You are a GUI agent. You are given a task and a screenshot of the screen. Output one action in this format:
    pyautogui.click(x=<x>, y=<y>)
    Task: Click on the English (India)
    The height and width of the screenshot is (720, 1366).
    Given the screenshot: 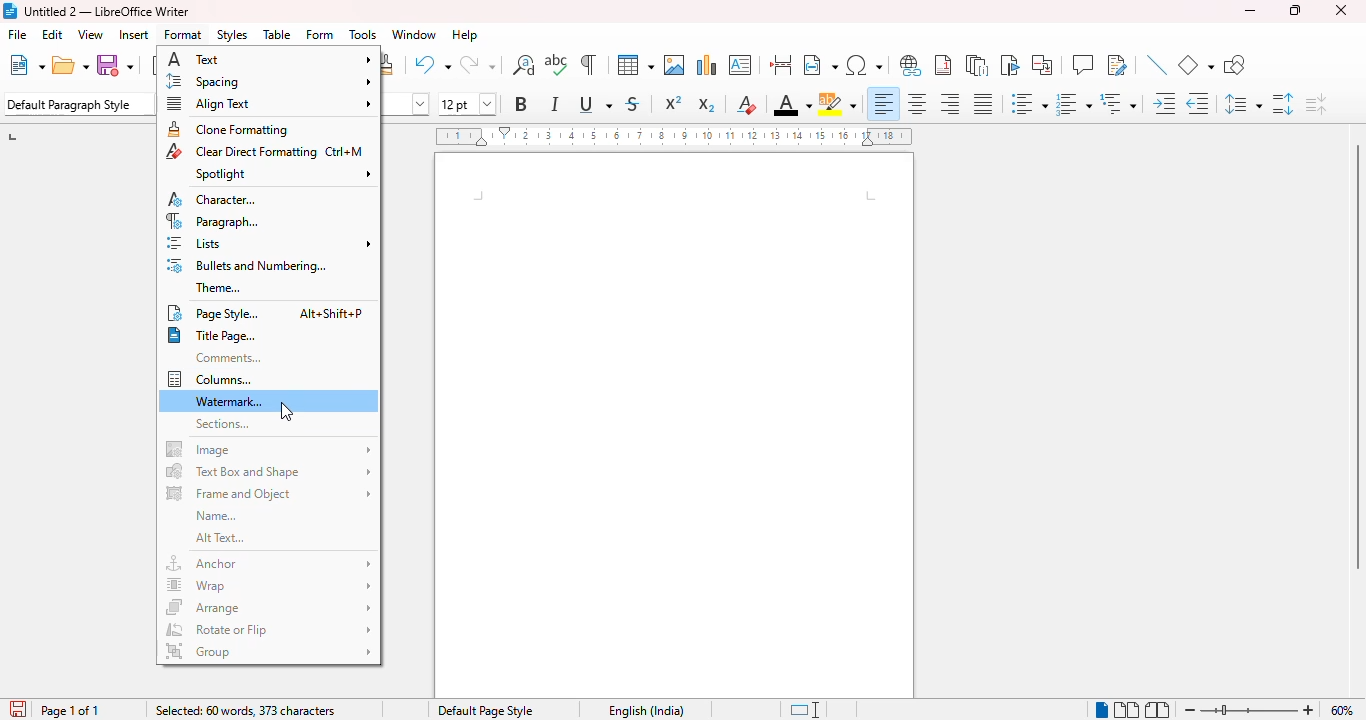 What is the action you would take?
    pyautogui.click(x=651, y=711)
    